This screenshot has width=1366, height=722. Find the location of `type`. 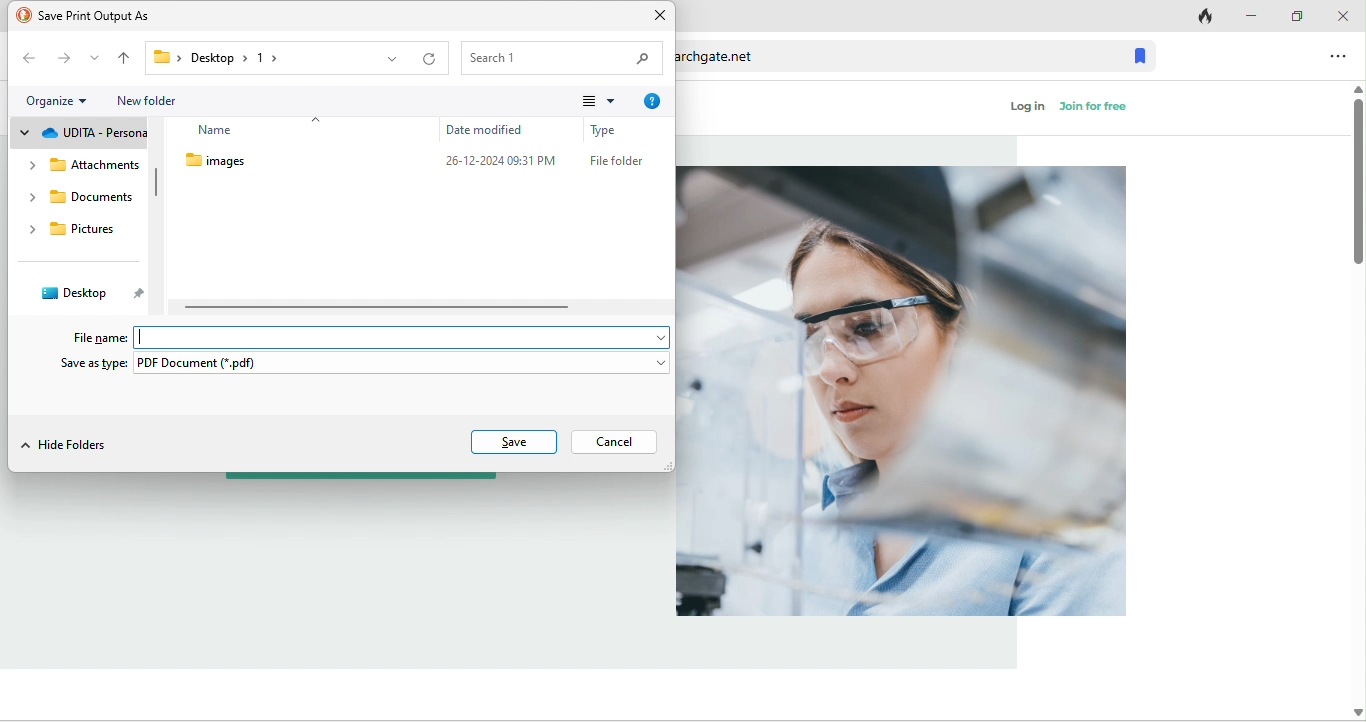

type is located at coordinates (617, 130).